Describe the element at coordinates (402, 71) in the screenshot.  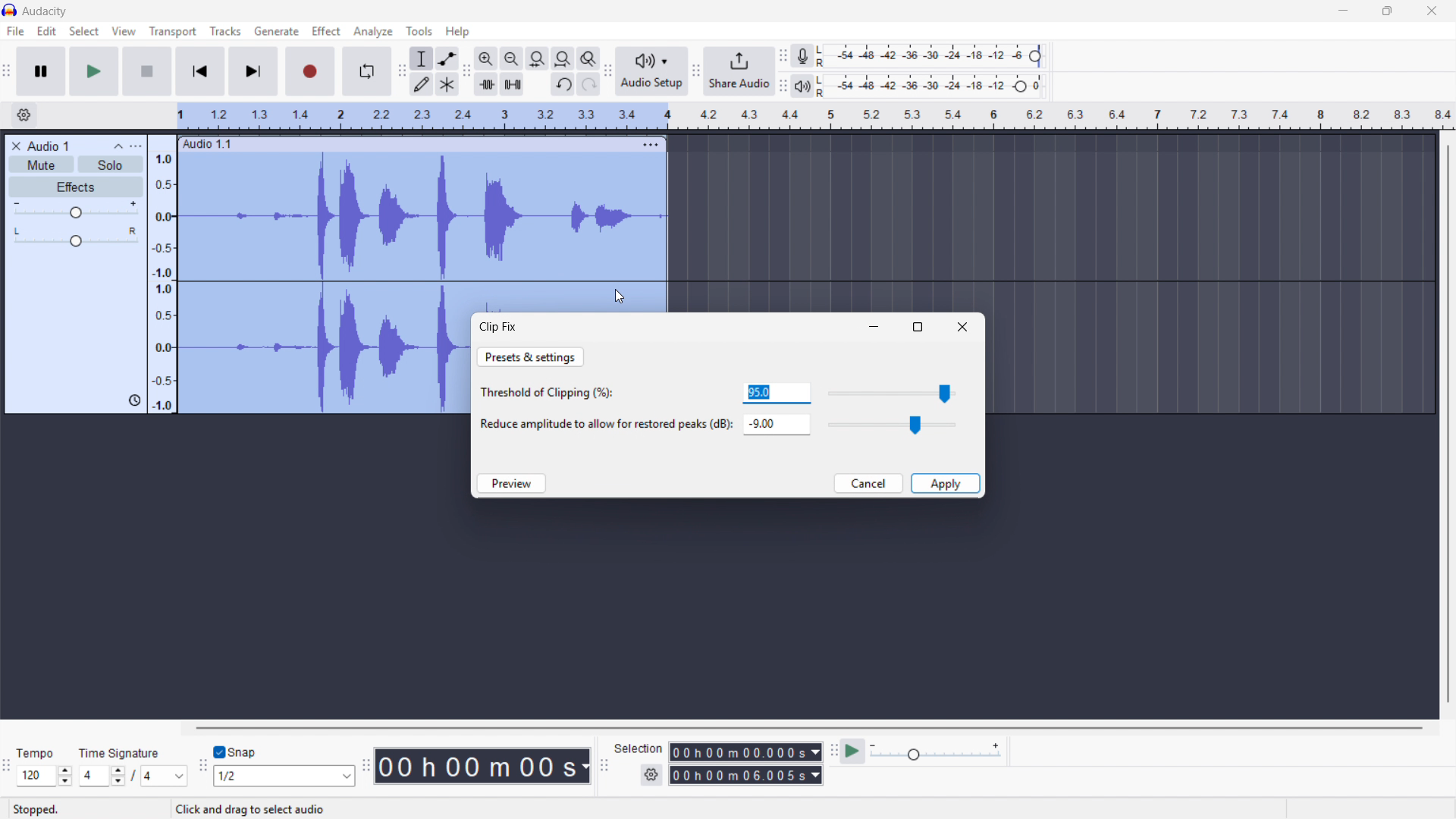
I see `Tools toolbar` at that location.